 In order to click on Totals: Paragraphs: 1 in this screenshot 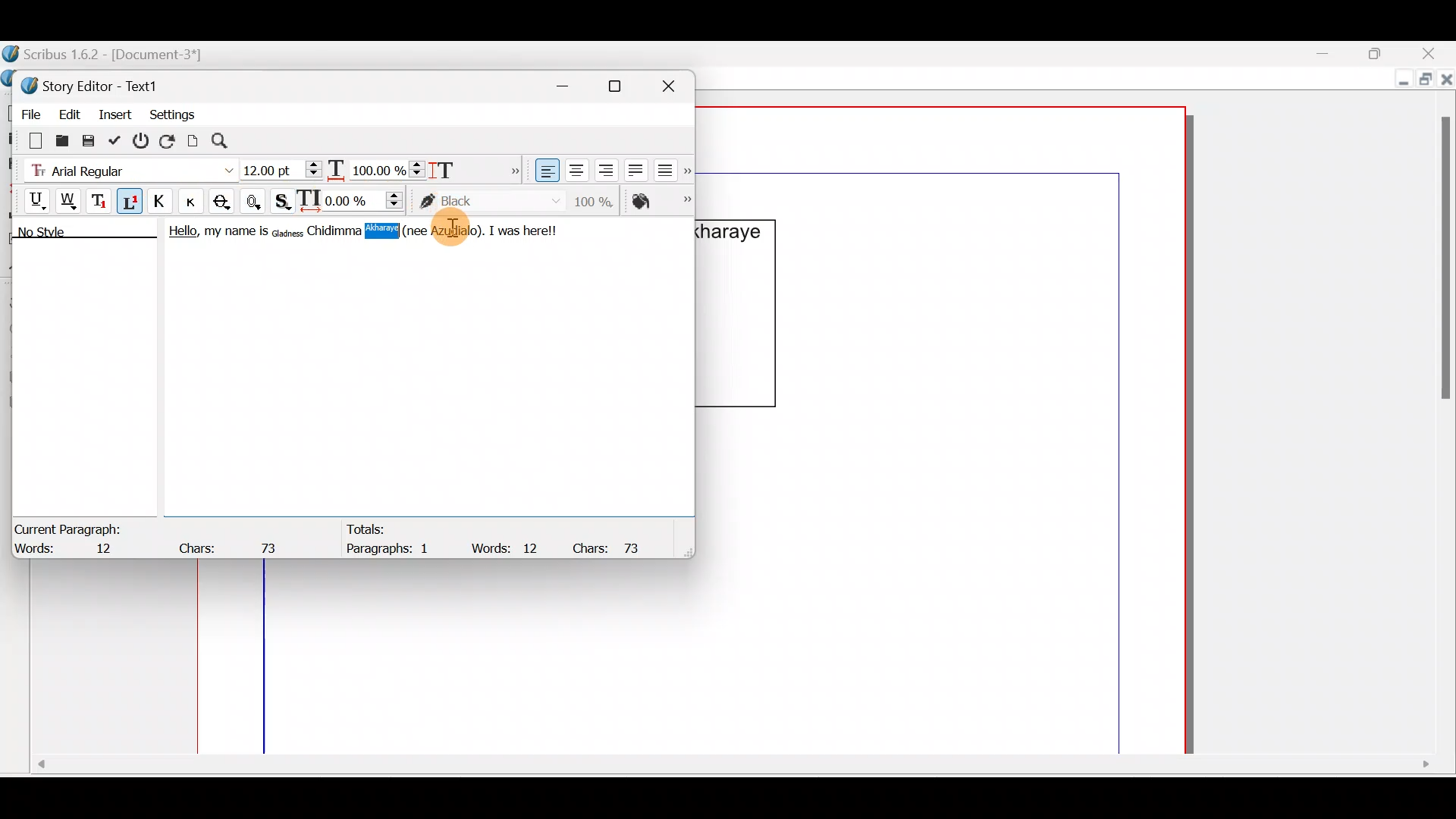, I will do `click(397, 542)`.